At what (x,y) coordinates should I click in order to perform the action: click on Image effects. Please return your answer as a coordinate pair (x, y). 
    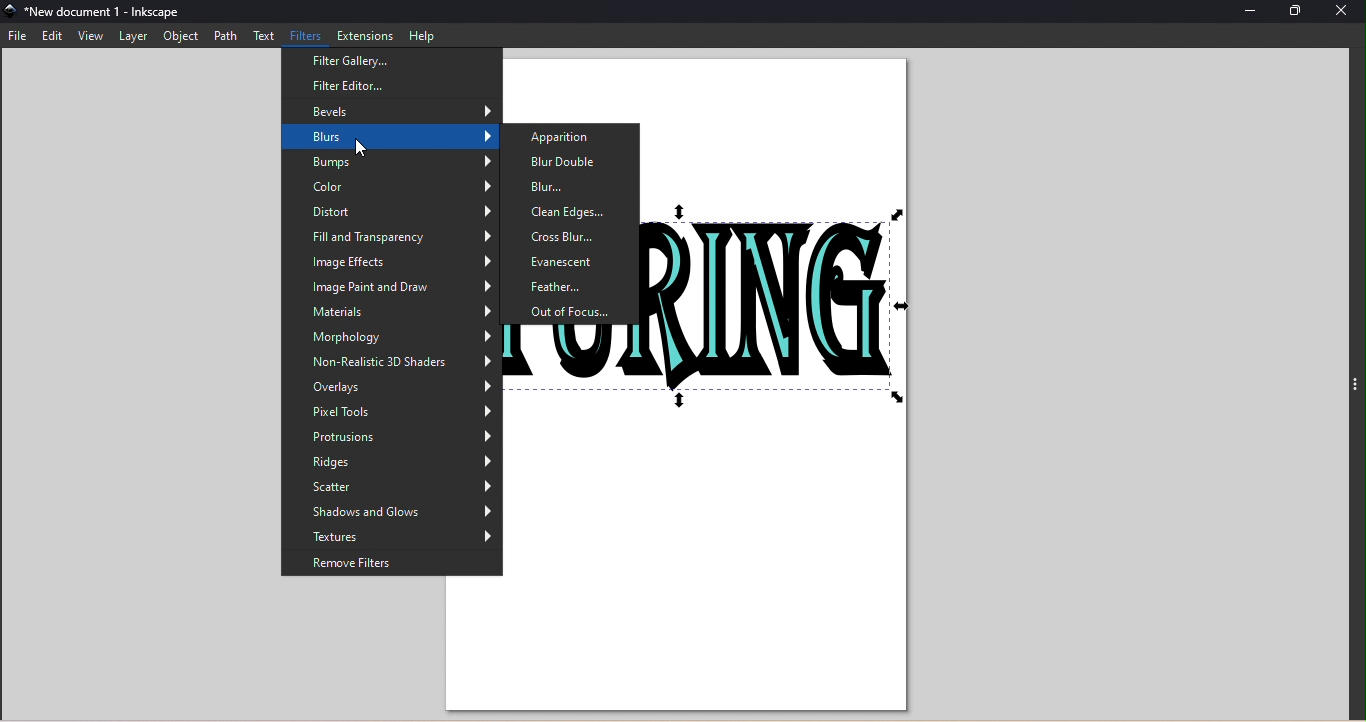
    Looking at the image, I should click on (396, 262).